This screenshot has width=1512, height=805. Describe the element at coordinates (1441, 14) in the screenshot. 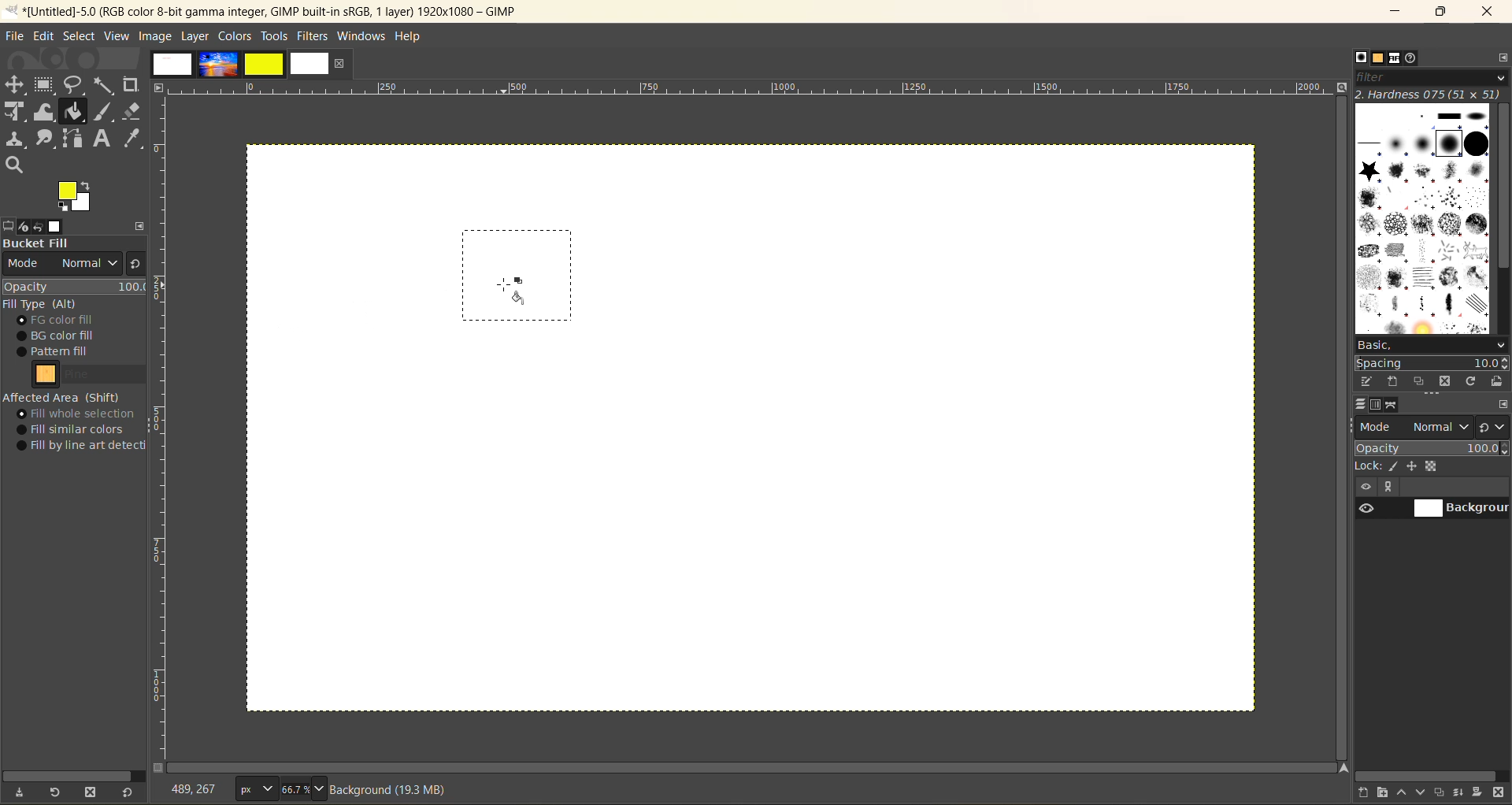

I see `maximize` at that location.